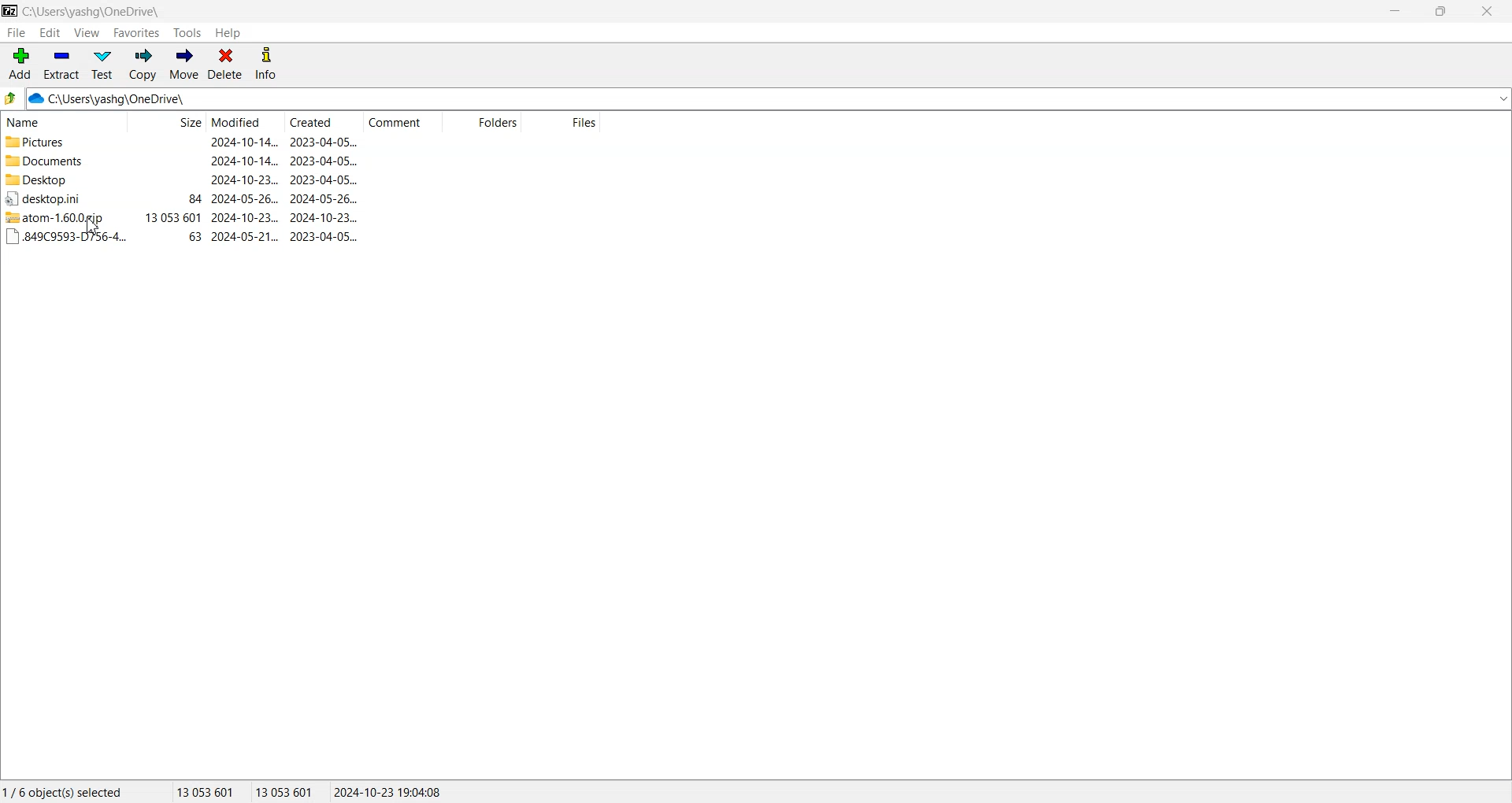  Describe the element at coordinates (324, 236) in the screenshot. I see `2023-04-05` at that location.